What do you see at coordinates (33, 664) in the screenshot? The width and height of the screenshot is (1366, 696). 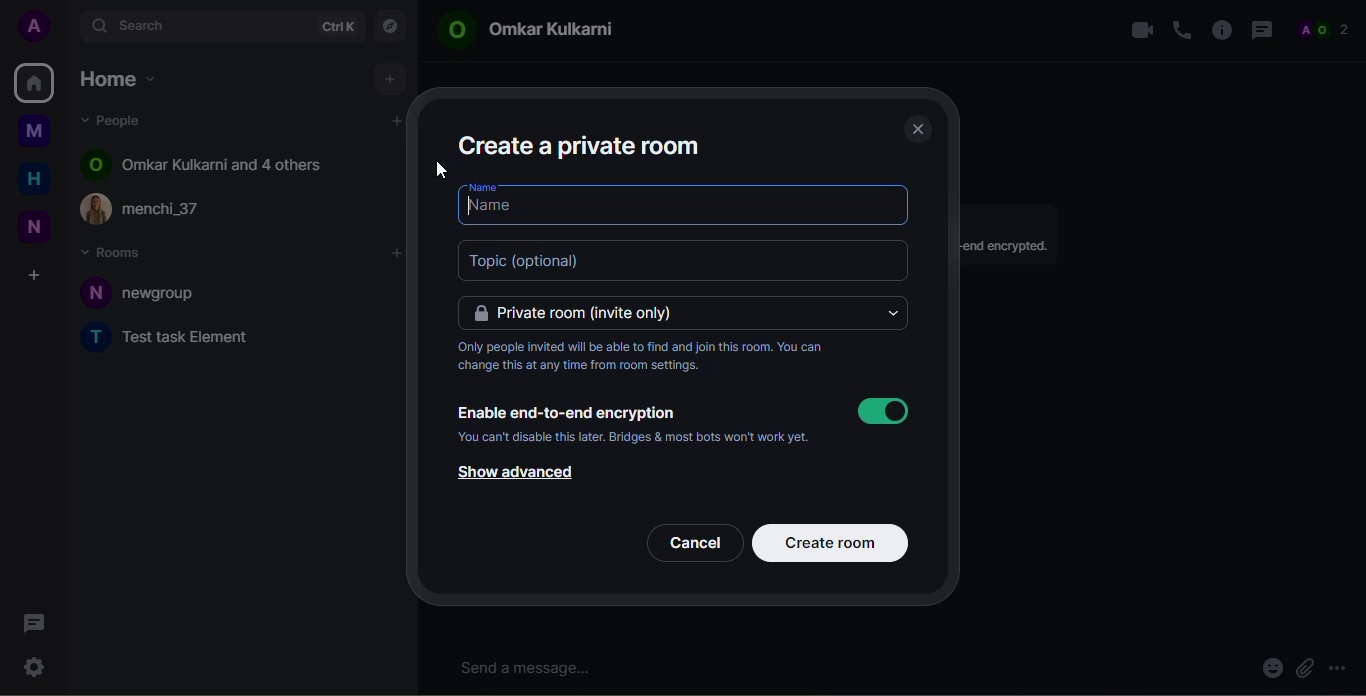 I see `quick settings` at bounding box center [33, 664].